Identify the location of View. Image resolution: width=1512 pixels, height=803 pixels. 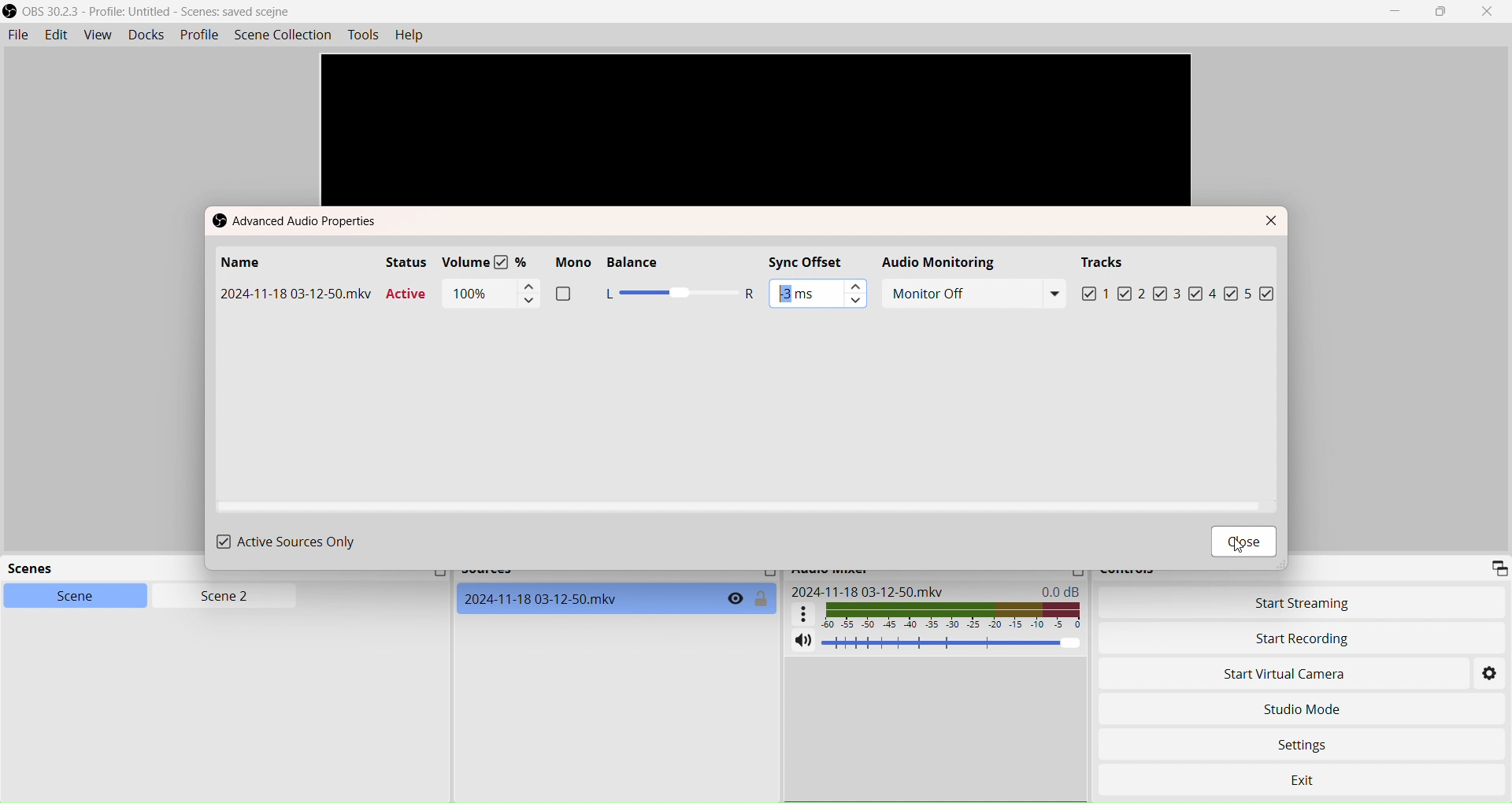
(95, 35).